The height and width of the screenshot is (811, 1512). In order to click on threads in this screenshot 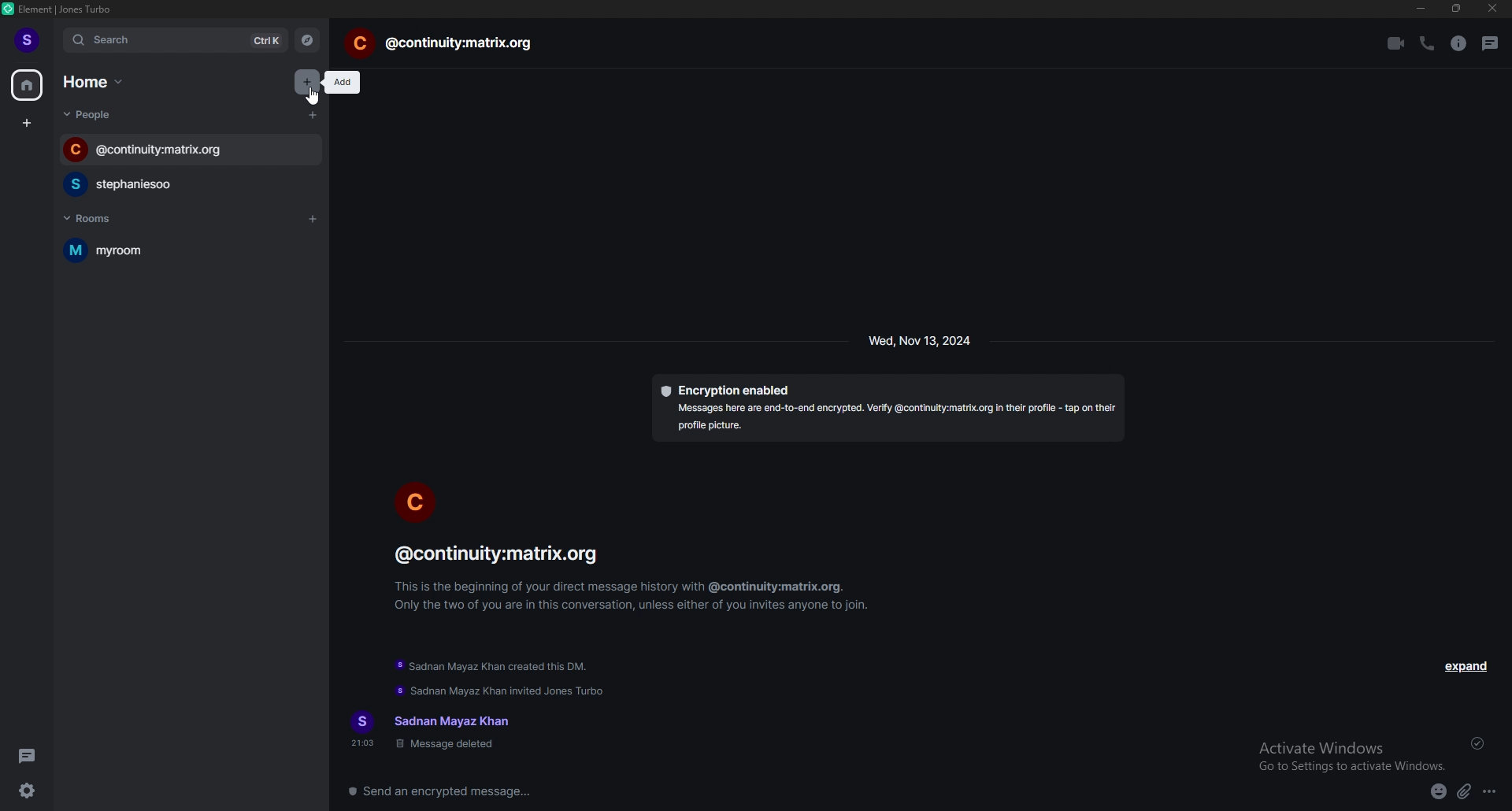, I will do `click(1491, 43)`.